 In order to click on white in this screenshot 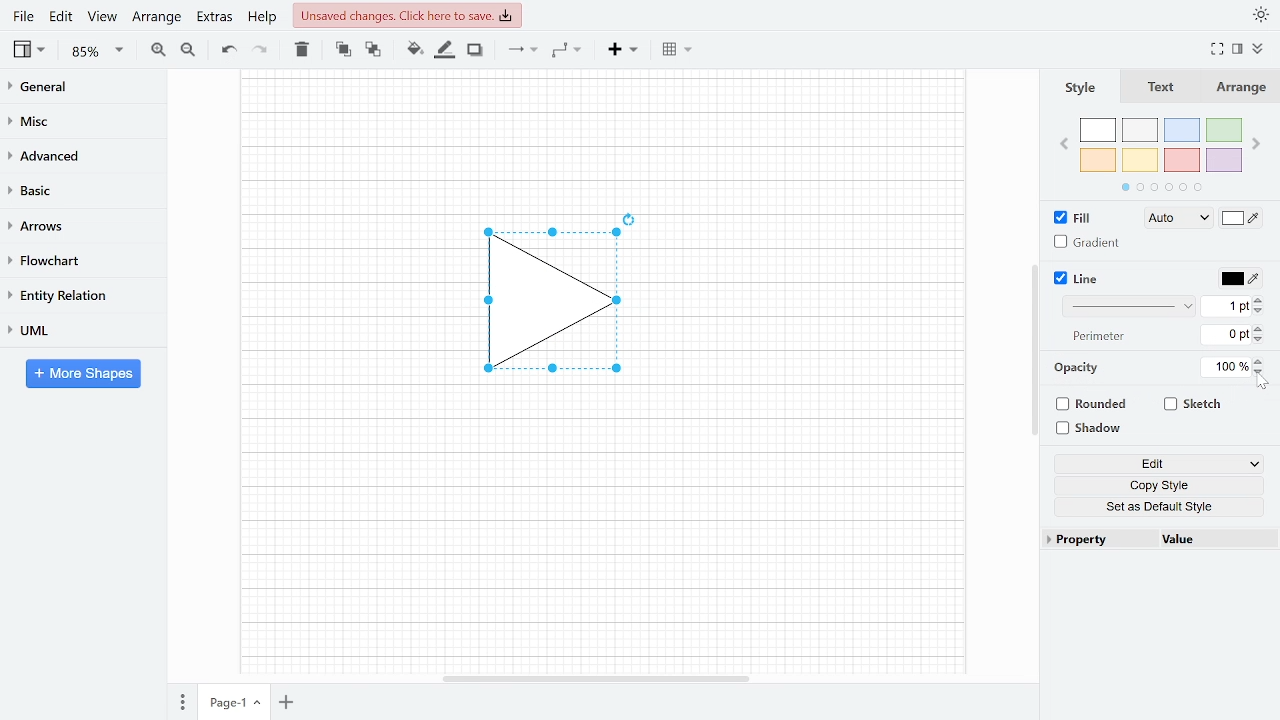, I will do `click(1098, 131)`.